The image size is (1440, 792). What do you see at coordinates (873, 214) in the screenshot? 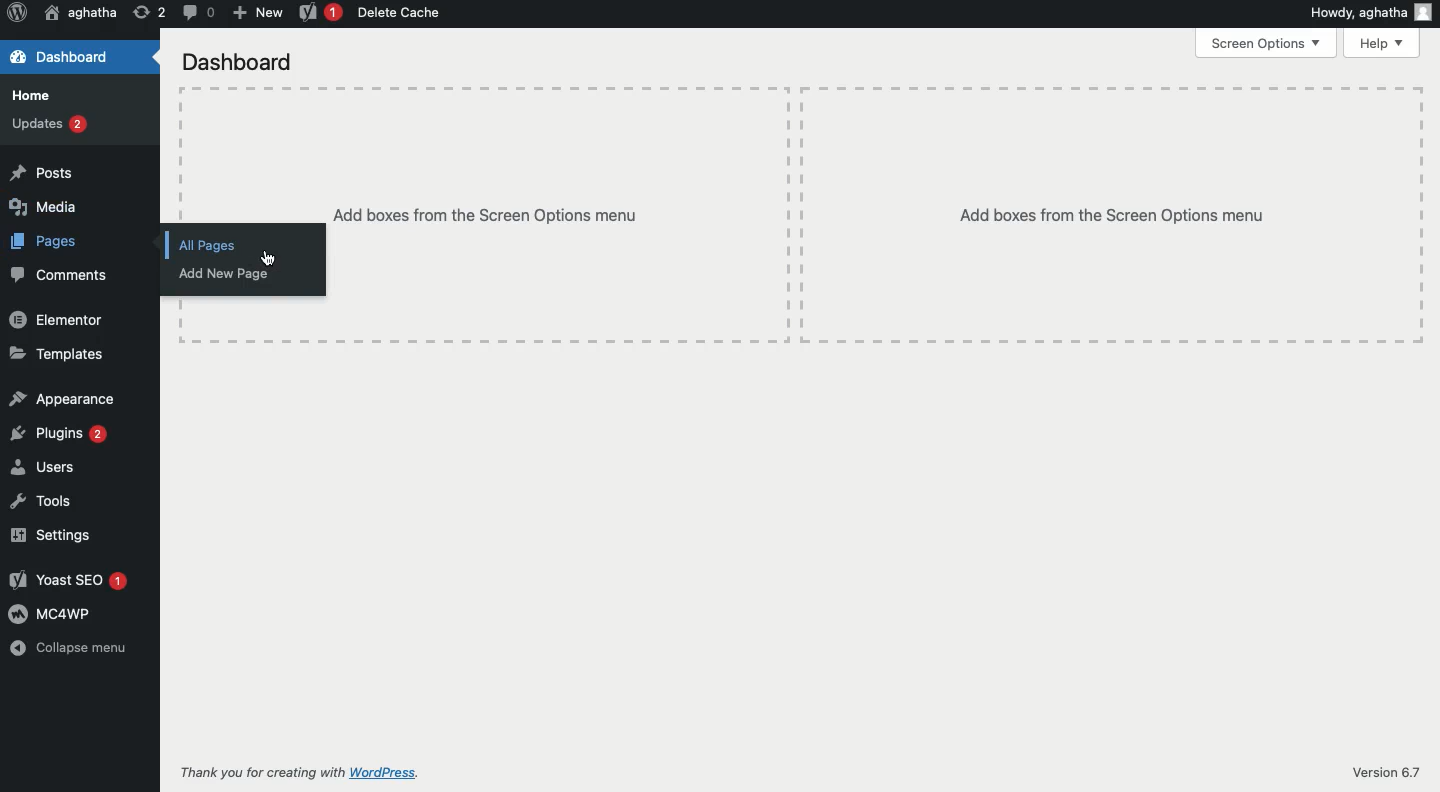
I see `Add boxes from the screen options menu` at bounding box center [873, 214].